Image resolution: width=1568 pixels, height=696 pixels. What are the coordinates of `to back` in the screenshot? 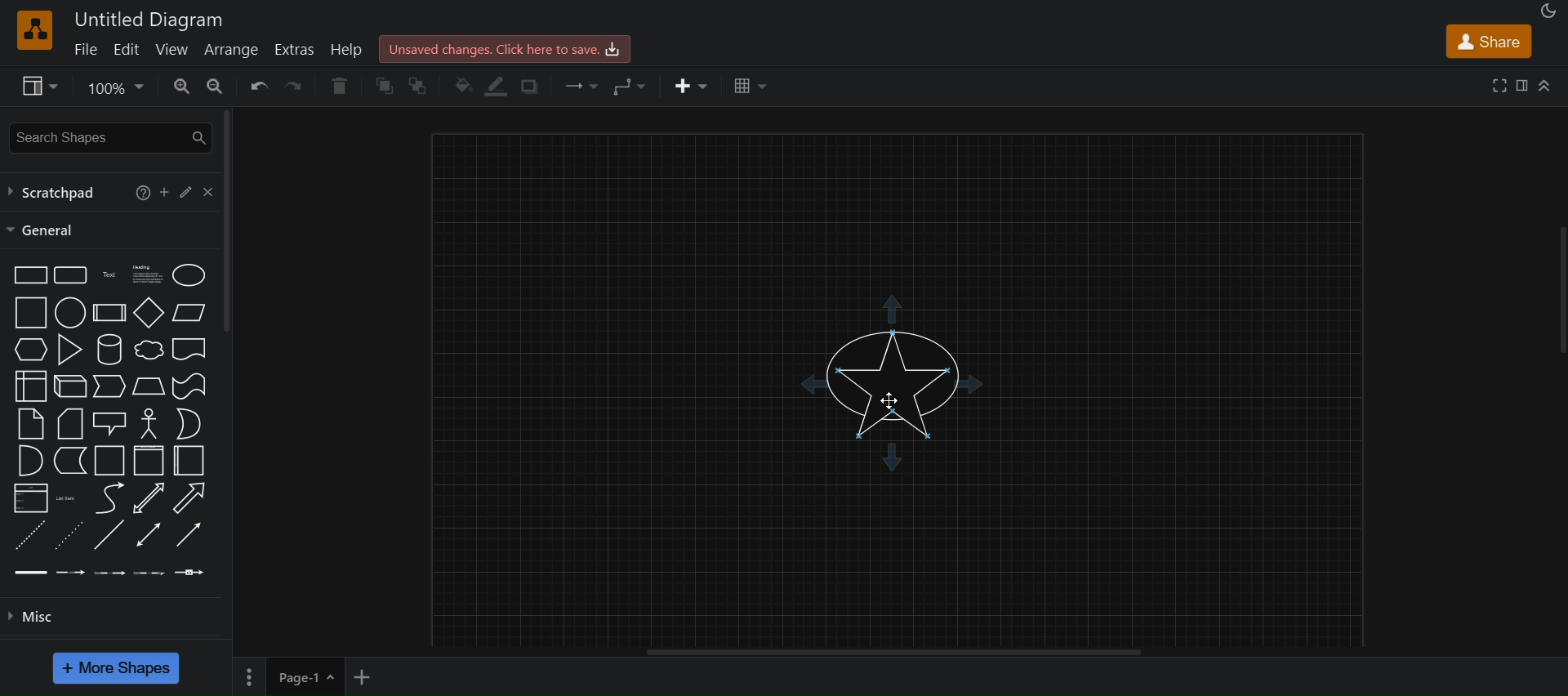 It's located at (416, 87).